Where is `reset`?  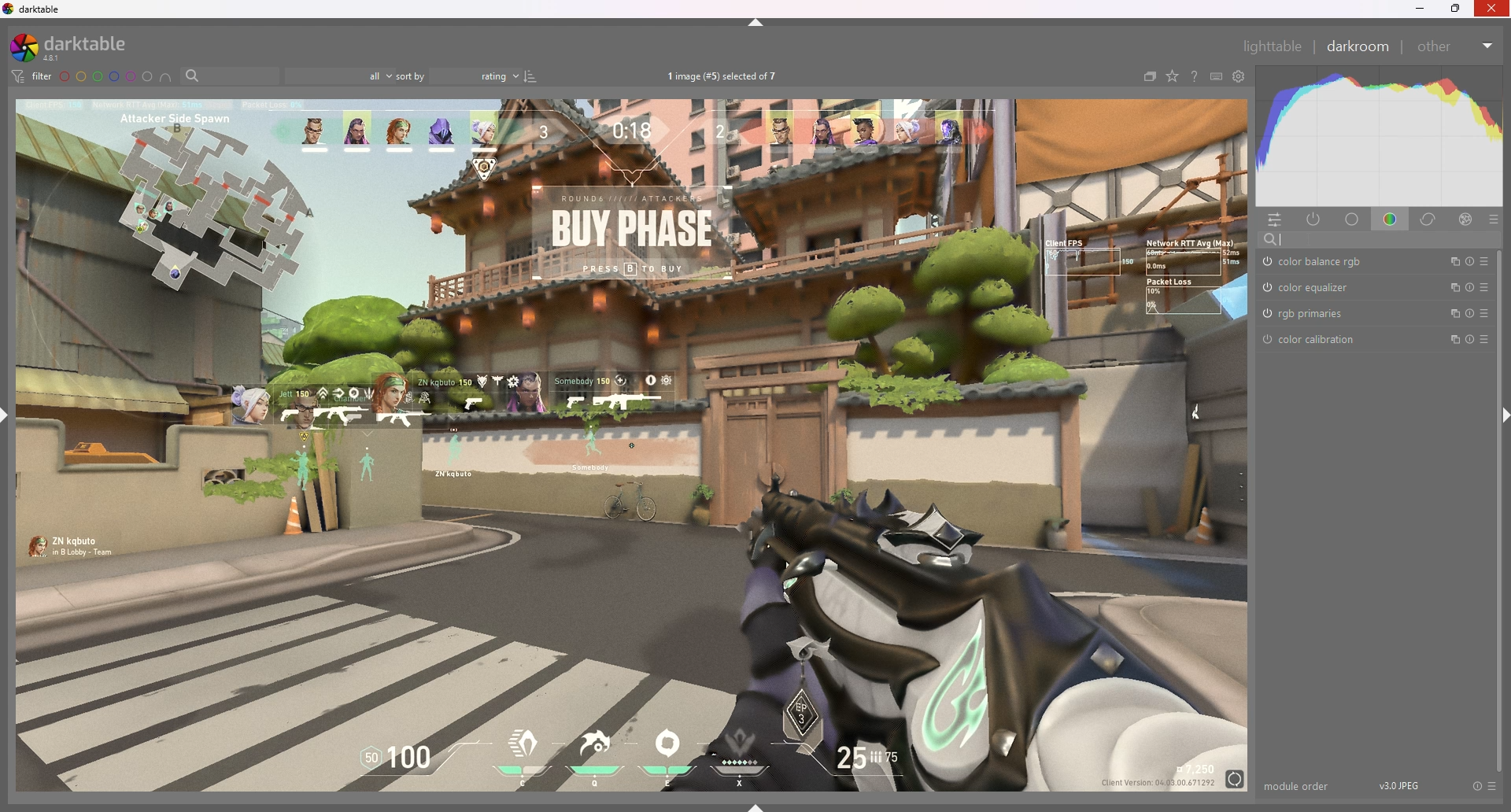
reset is located at coordinates (1476, 787).